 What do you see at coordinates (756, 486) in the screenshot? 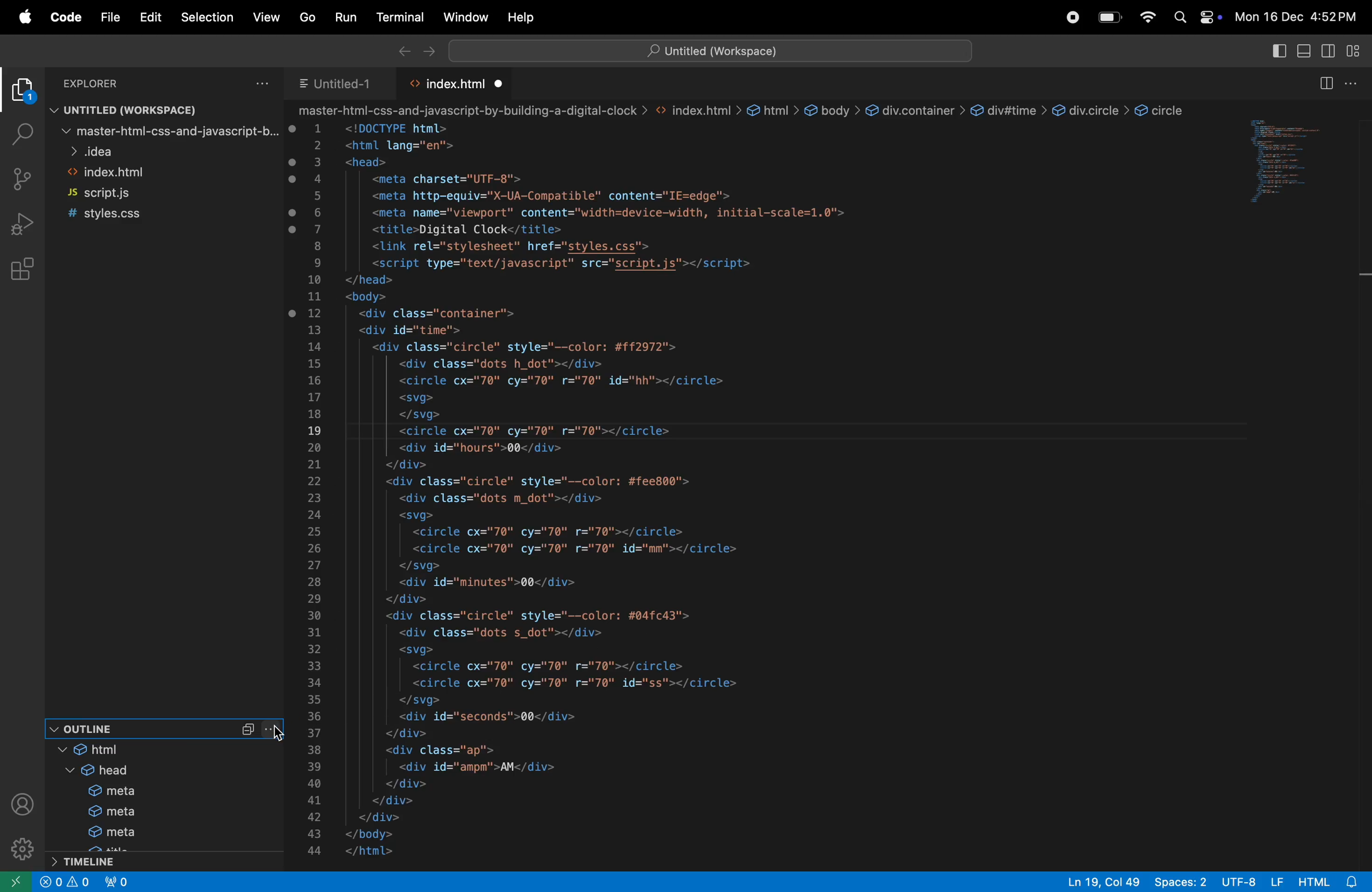
I see `code block about the web page using html` at bounding box center [756, 486].